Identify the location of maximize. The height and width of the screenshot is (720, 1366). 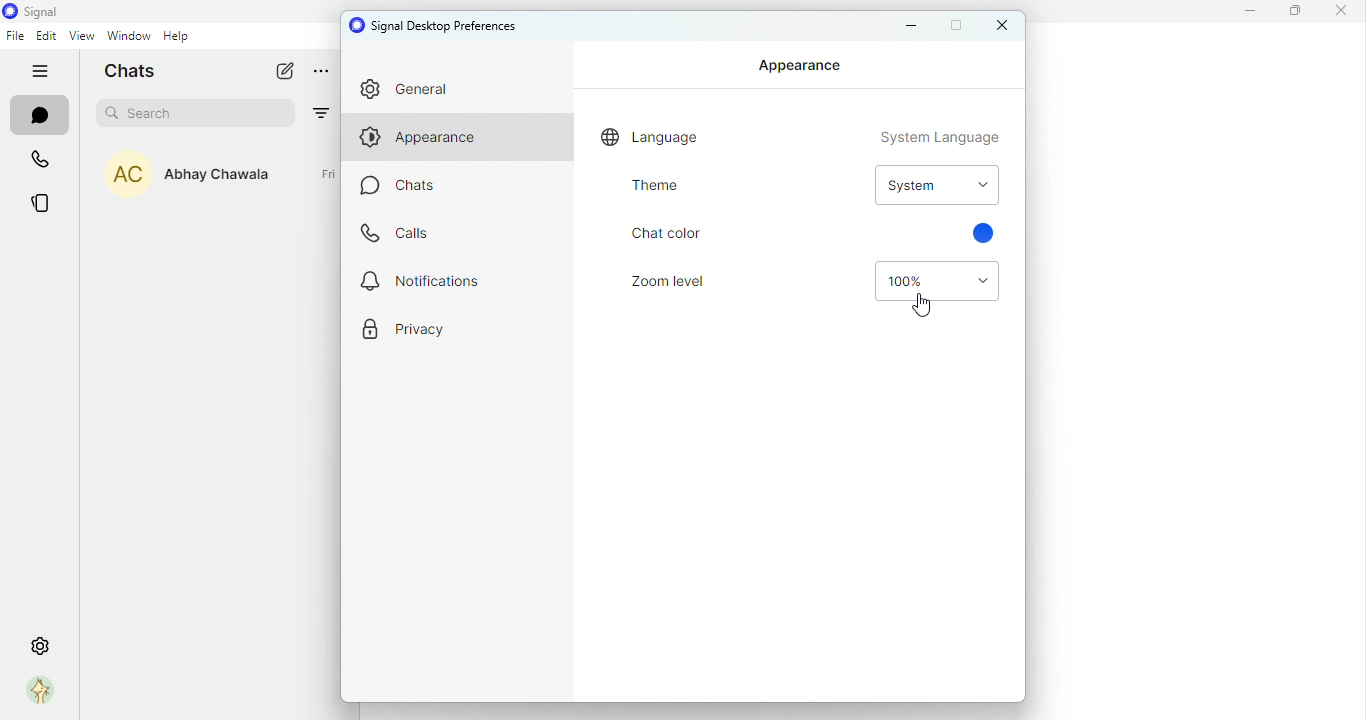
(1295, 15).